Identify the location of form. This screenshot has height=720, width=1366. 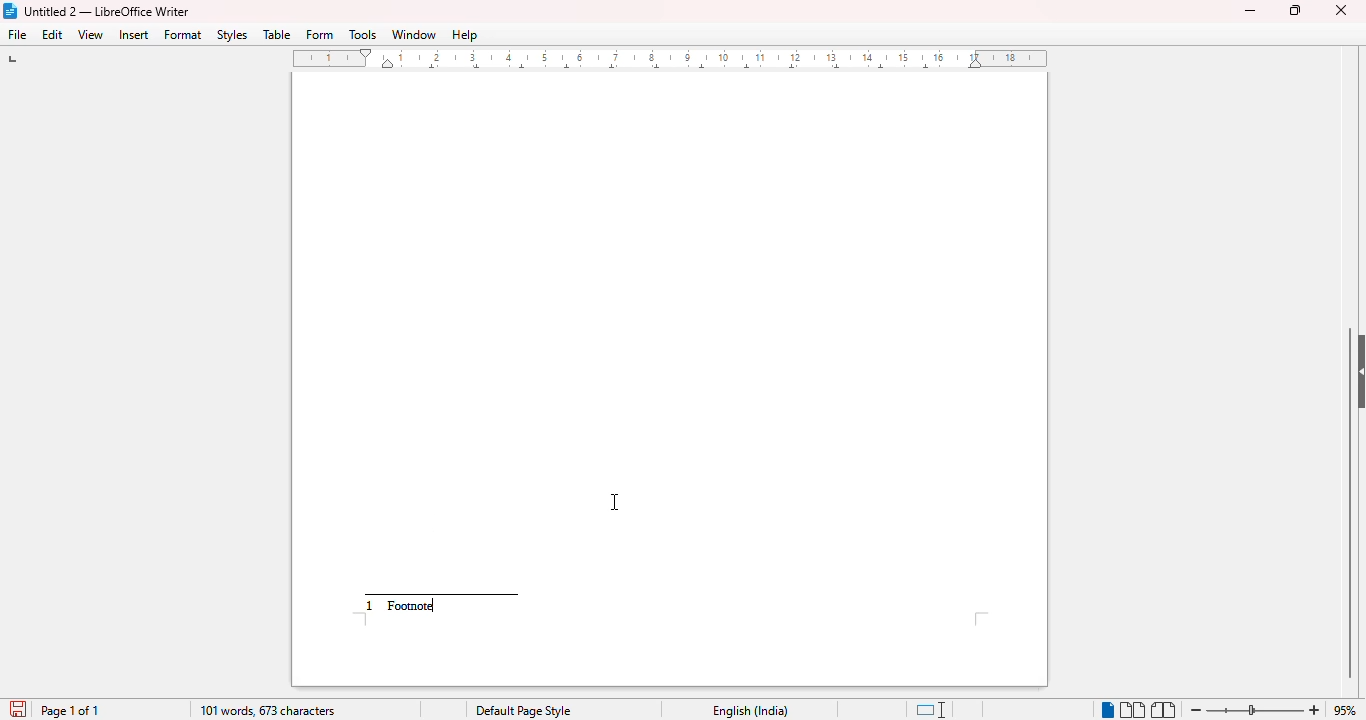
(320, 35).